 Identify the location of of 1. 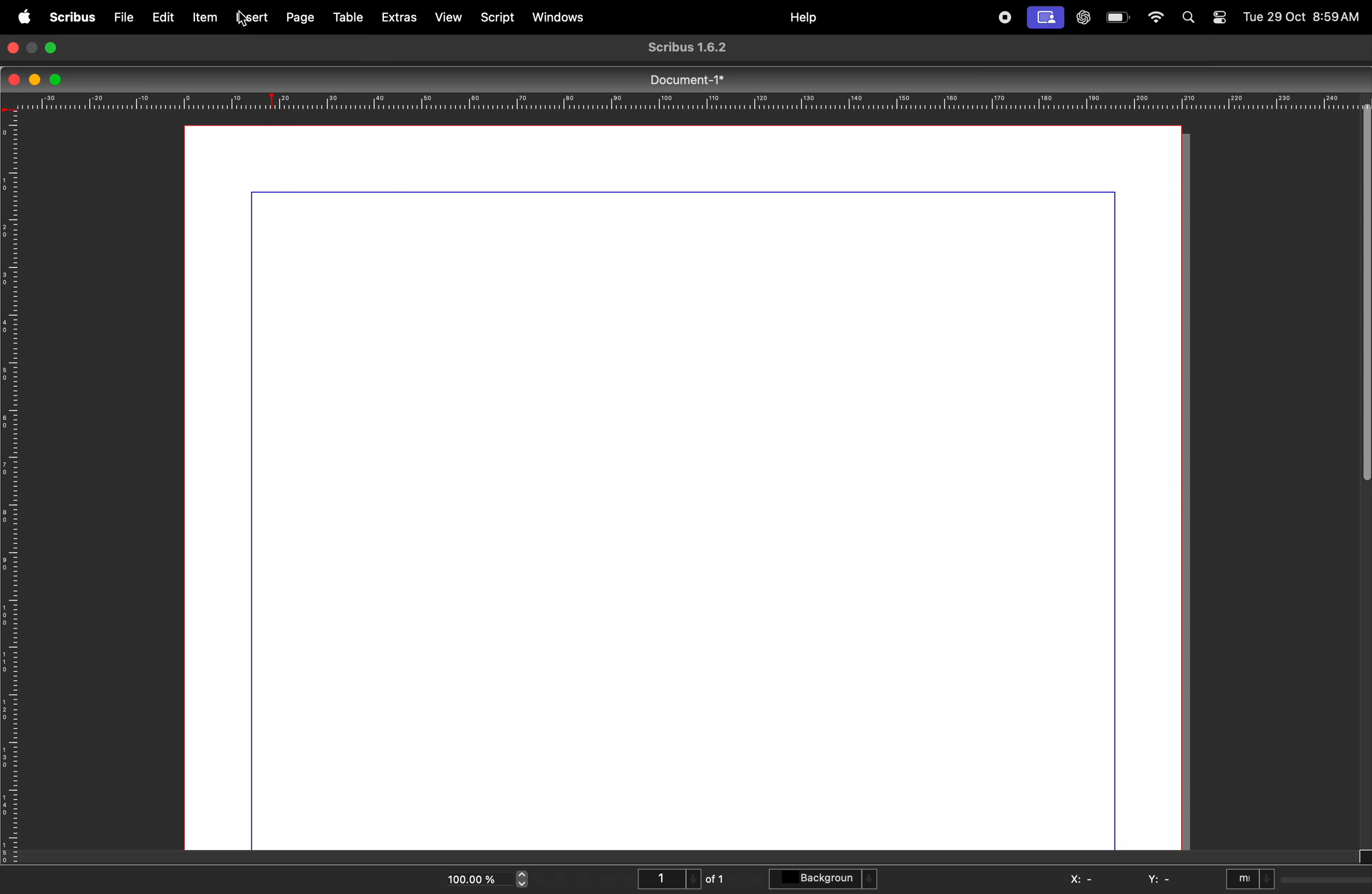
(717, 878).